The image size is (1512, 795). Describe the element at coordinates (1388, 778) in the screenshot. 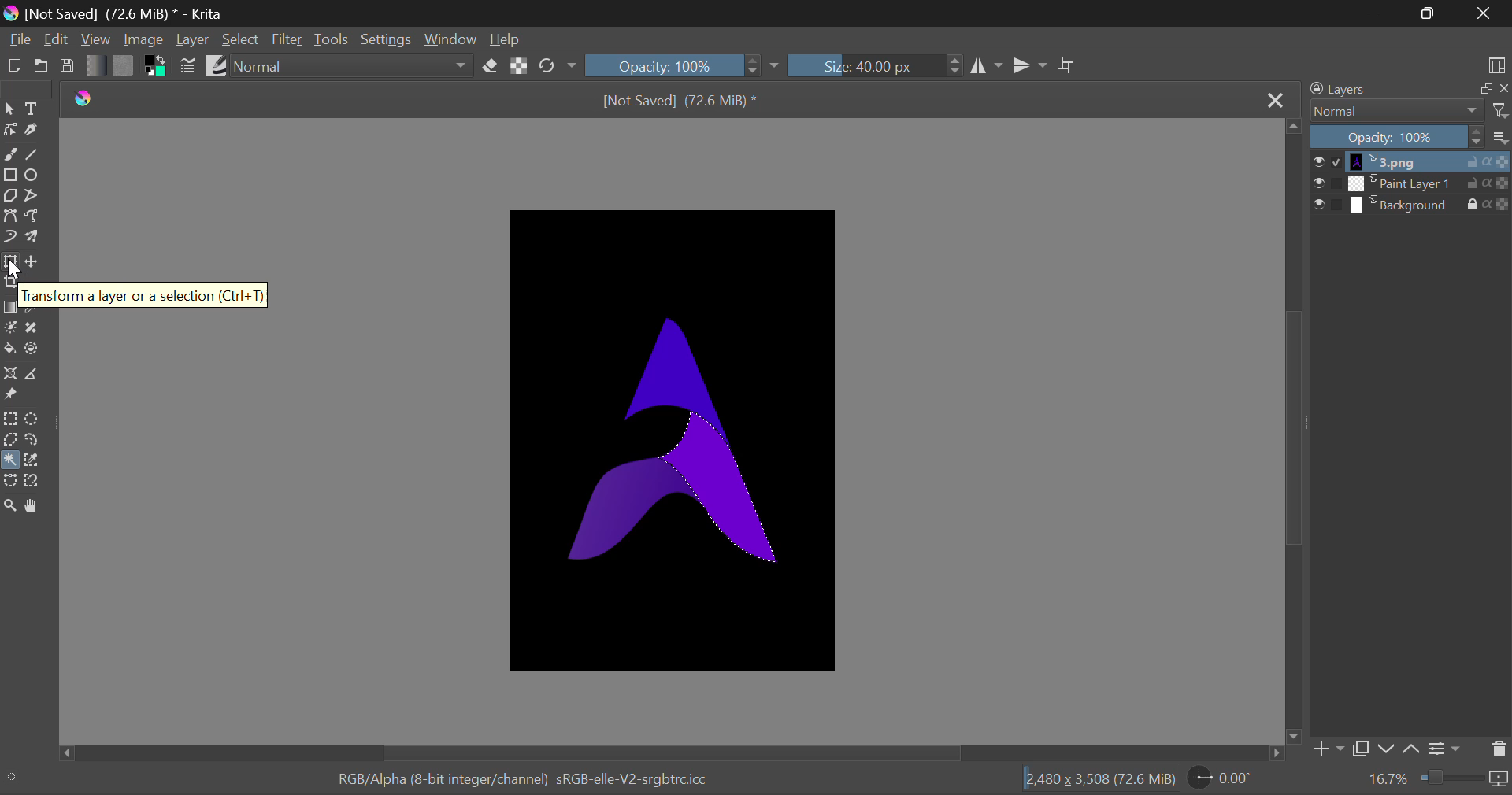

I see `Zoom value` at that location.